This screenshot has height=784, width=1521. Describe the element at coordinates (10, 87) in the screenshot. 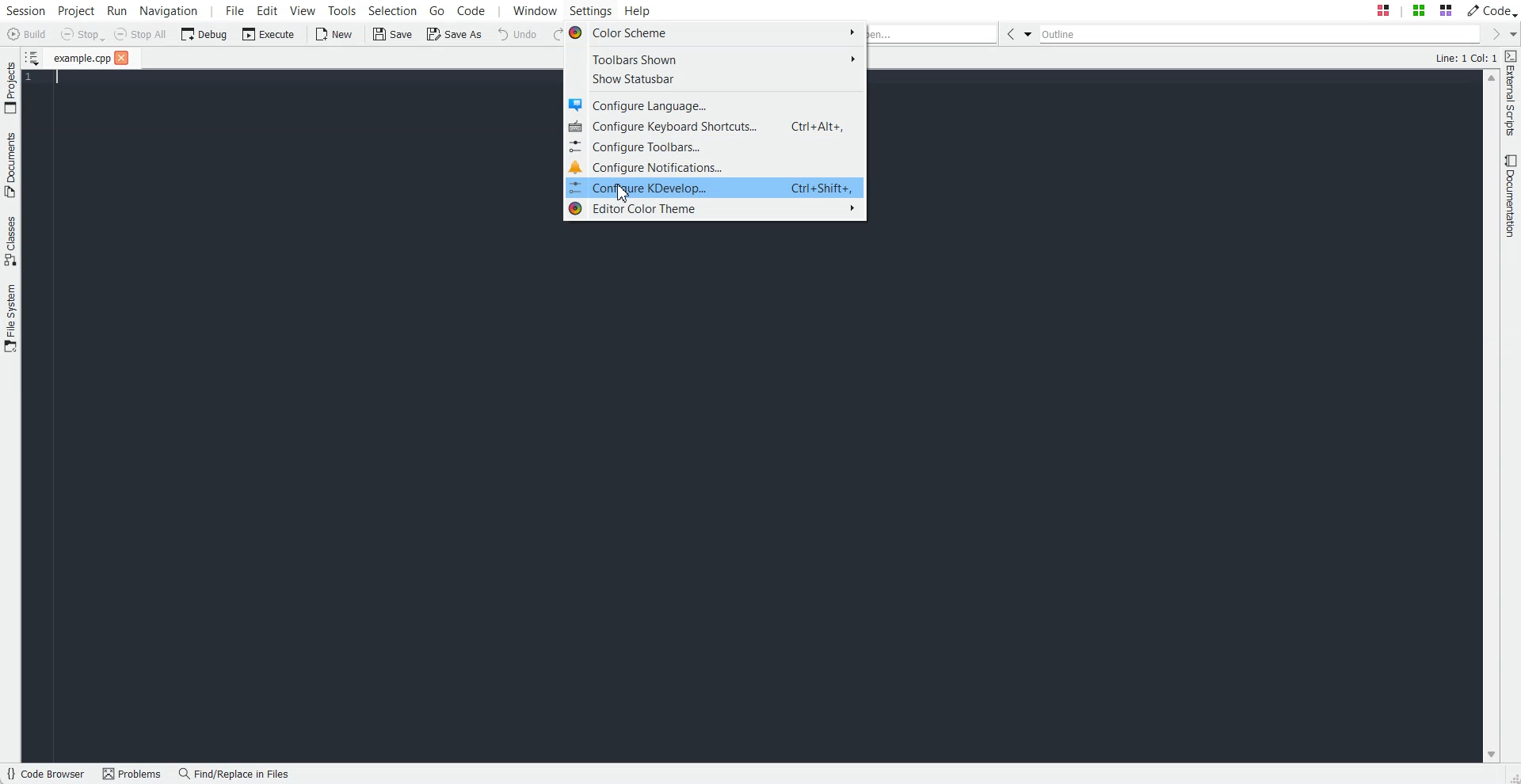

I see `Projects` at that location.